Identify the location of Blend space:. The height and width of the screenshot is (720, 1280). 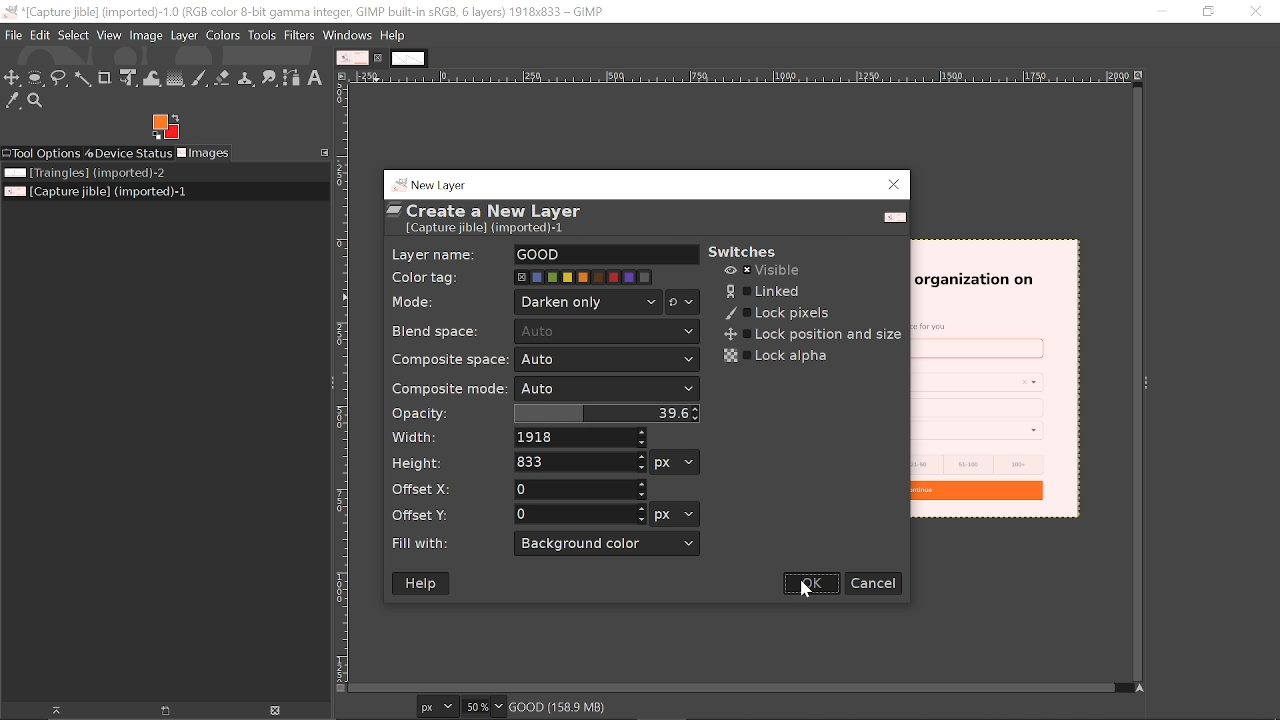
(440, 330).